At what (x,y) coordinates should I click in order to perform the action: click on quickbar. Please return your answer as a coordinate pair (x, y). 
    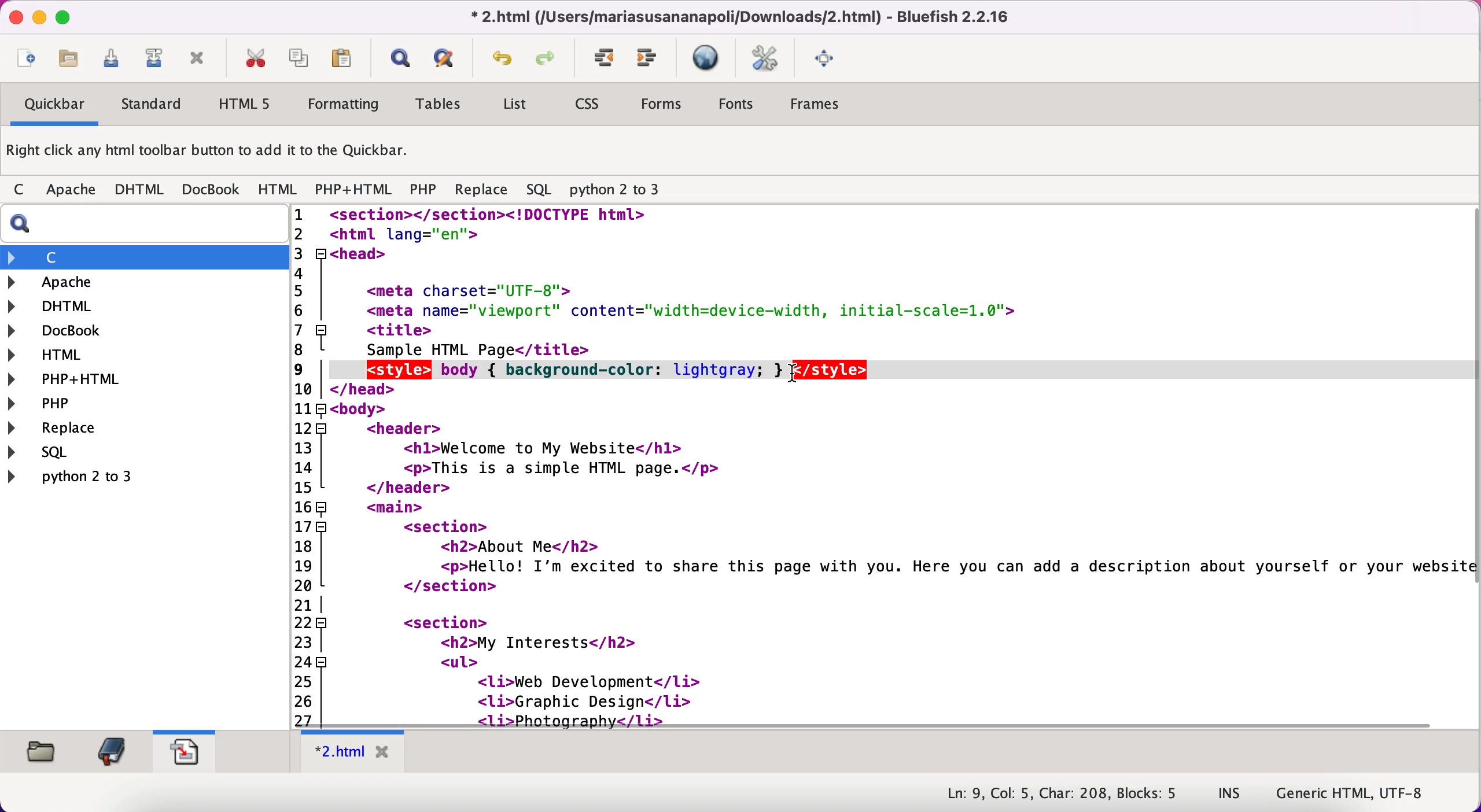
    Looking at the image, I should click on (53, 106).